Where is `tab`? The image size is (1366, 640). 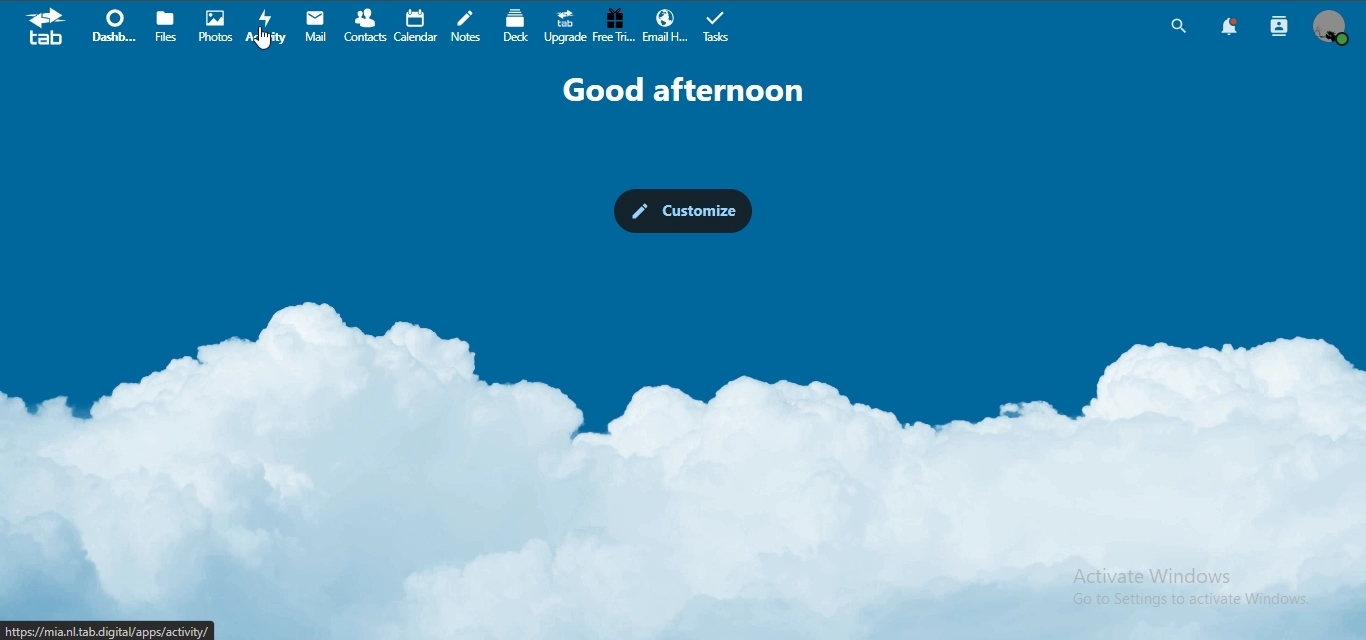 tab is located at coordinates (45, 27).